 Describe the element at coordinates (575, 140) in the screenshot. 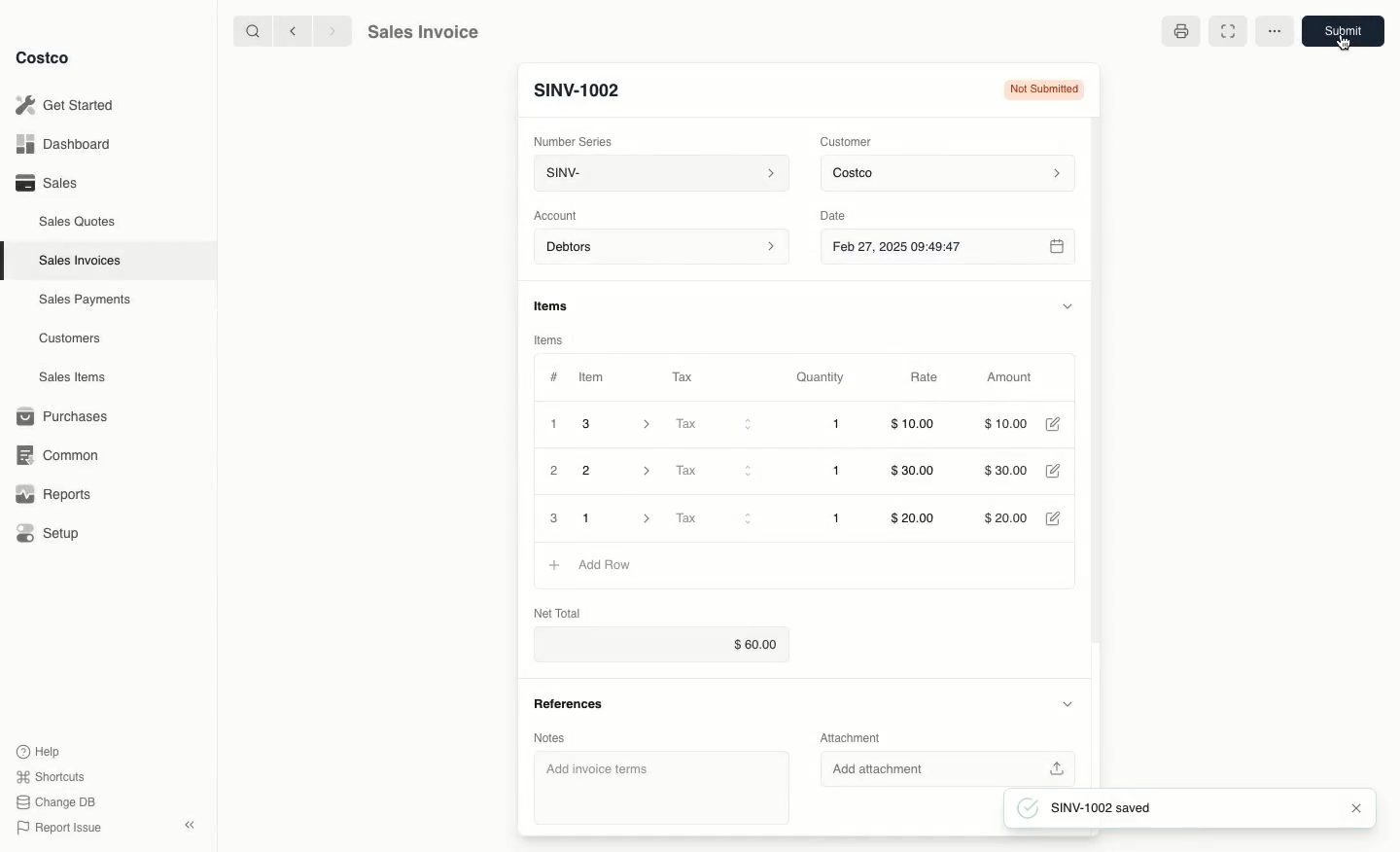

I see `Number Series` at that location.